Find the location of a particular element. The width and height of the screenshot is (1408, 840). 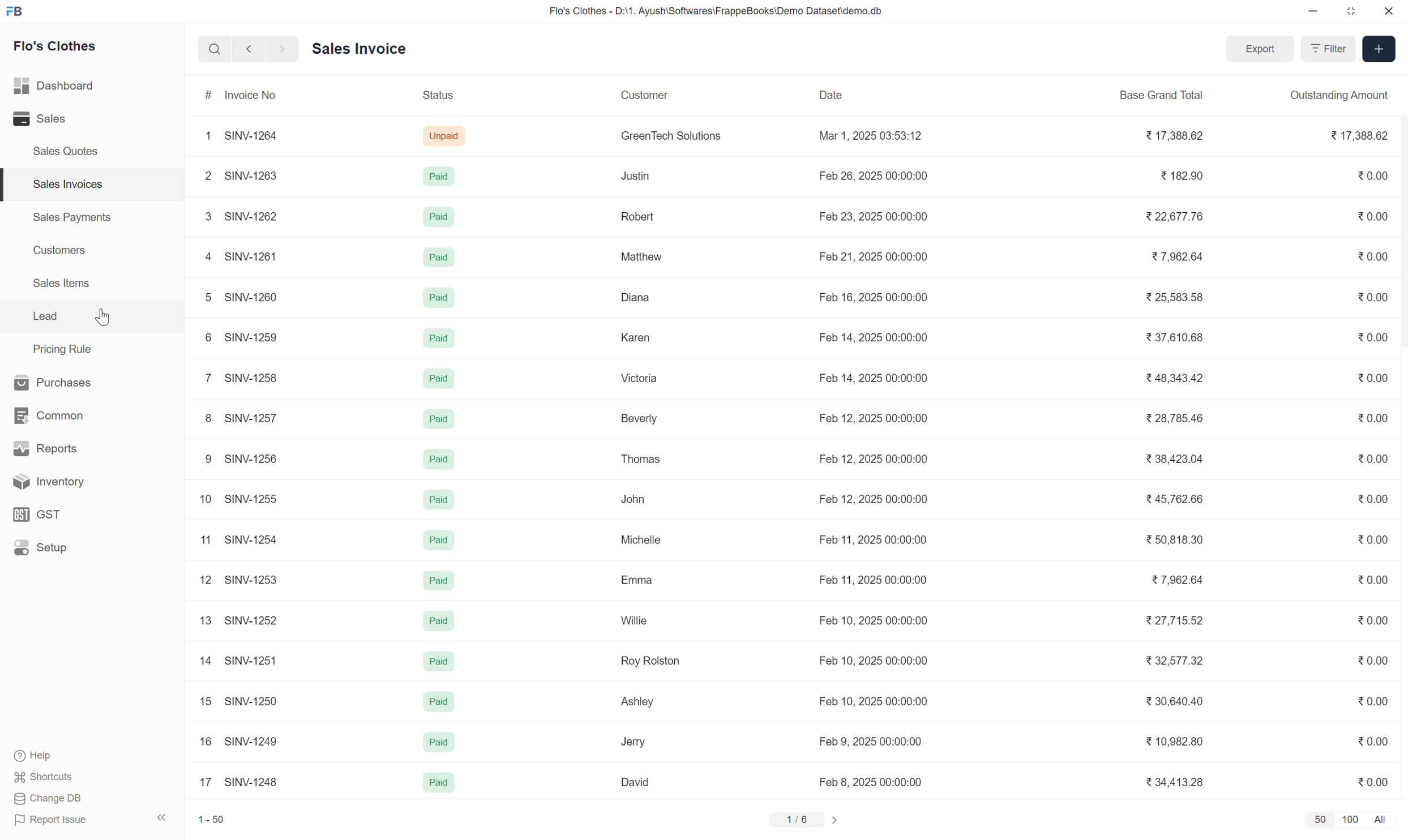

Paid is located at coordinates (439, 581).